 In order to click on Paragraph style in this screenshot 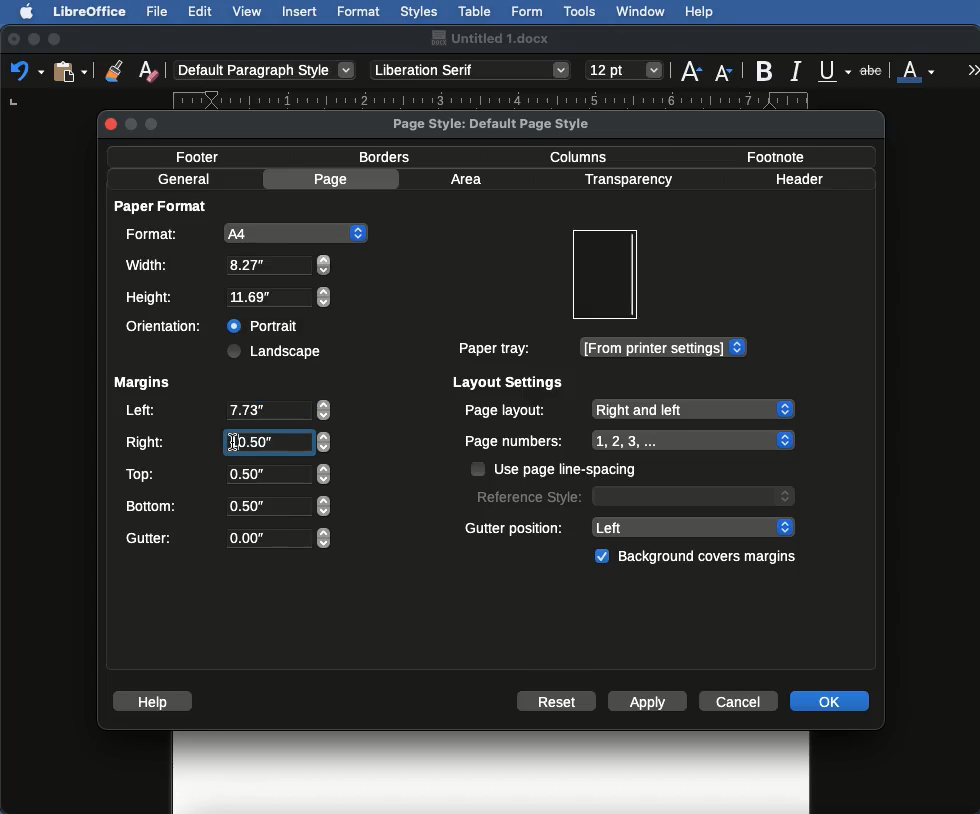, I will do `click(266, 70)`.